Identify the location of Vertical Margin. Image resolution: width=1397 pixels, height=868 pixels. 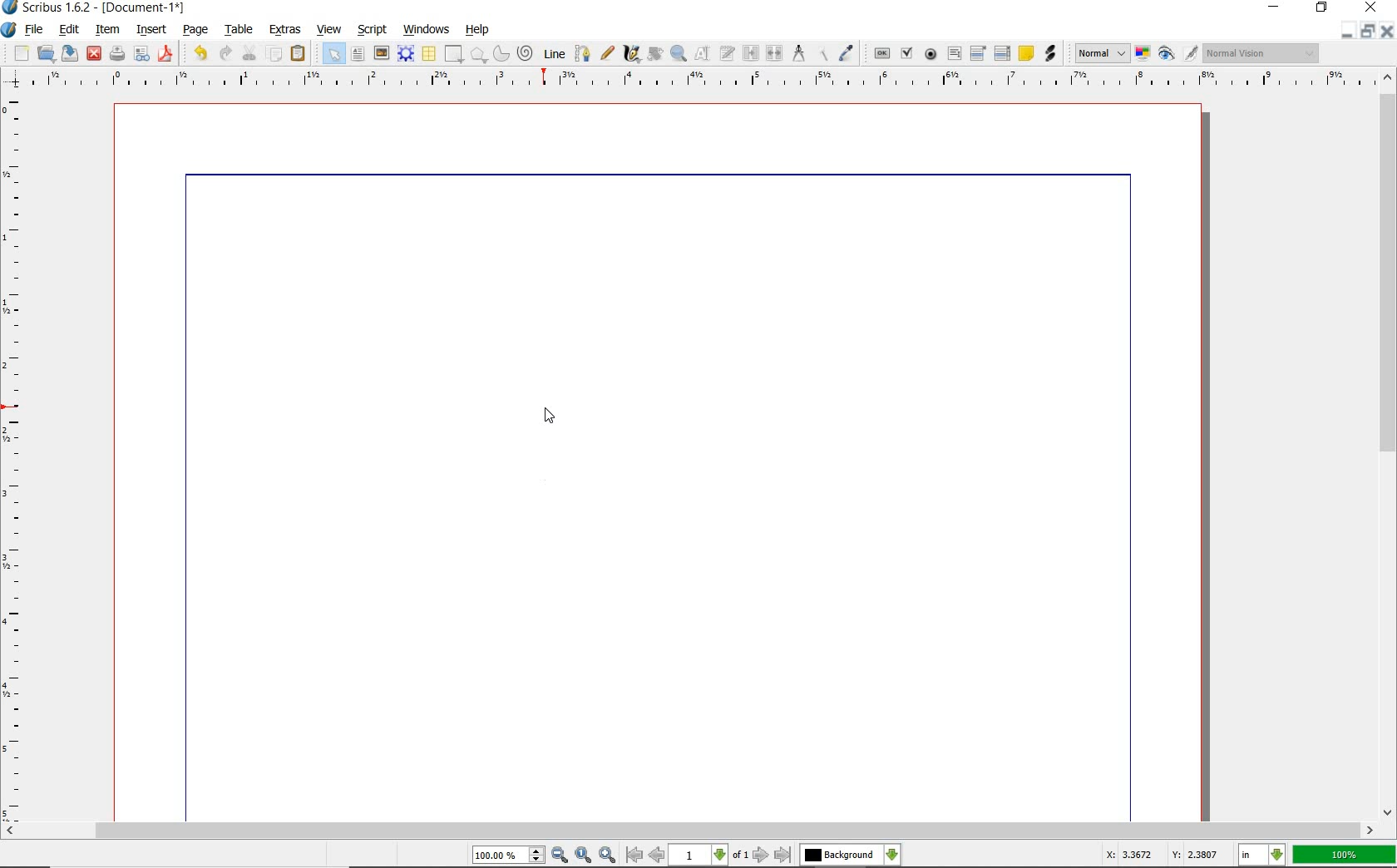
(16, 456).